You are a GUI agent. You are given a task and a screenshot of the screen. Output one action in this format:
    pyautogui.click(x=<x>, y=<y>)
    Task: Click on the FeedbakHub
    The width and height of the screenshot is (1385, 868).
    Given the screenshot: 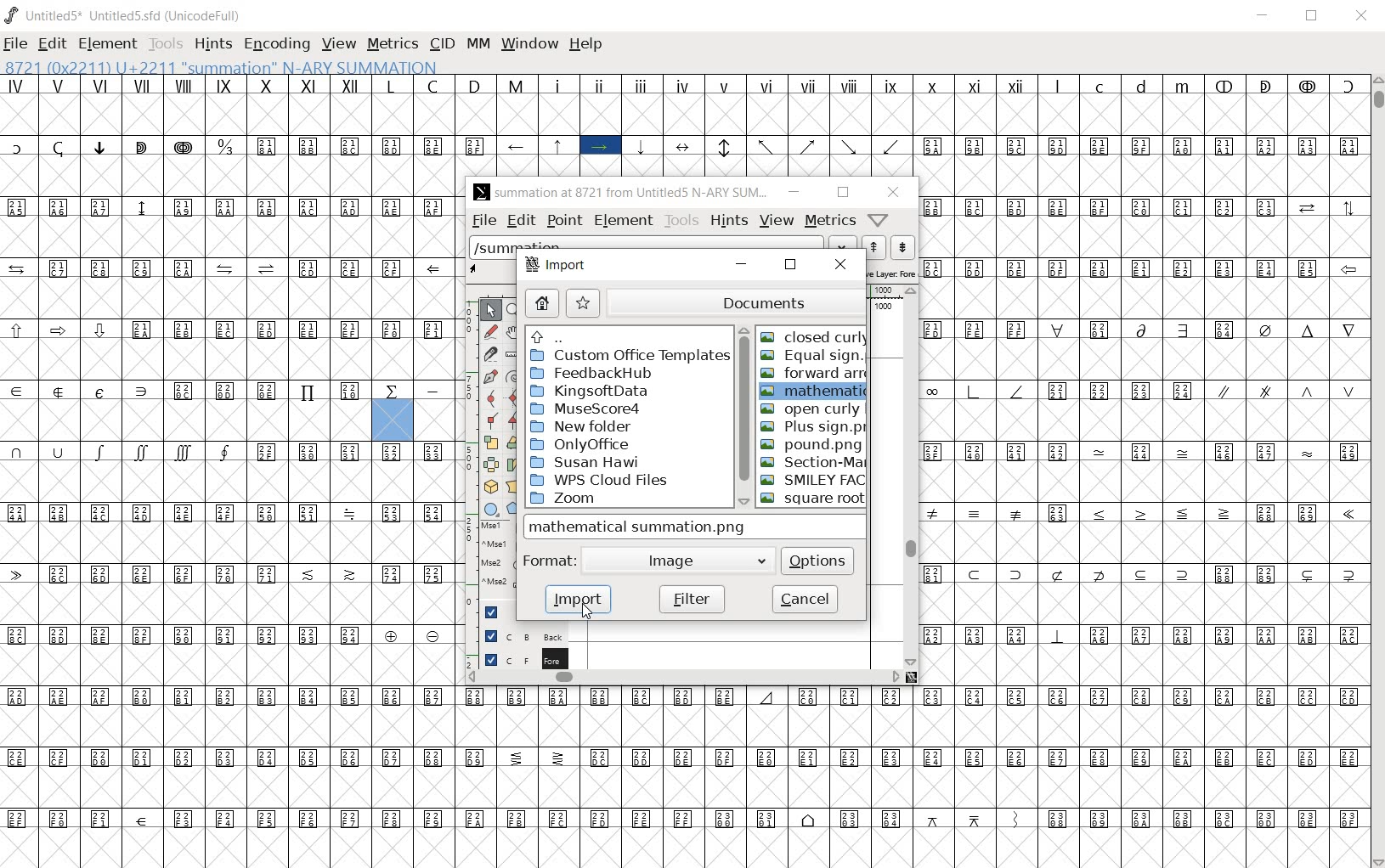 What is the action you would take?
    pyautogui.click(x=591, y=372)
    